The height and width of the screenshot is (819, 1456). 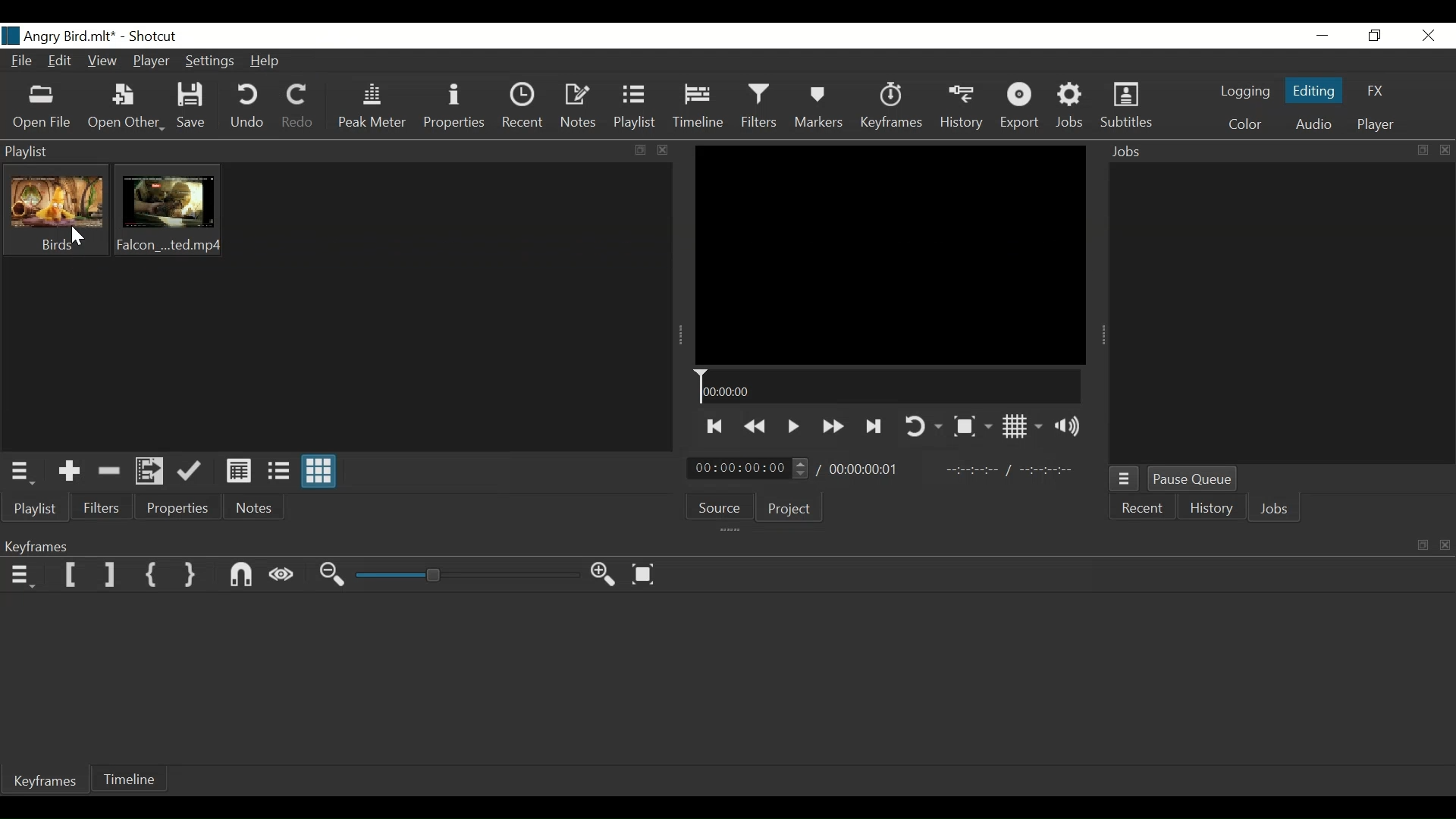 What do you see at coordinates (1126, 106) in the screenshot?
I see `Subtitles` at bounding box center [1126, 106].